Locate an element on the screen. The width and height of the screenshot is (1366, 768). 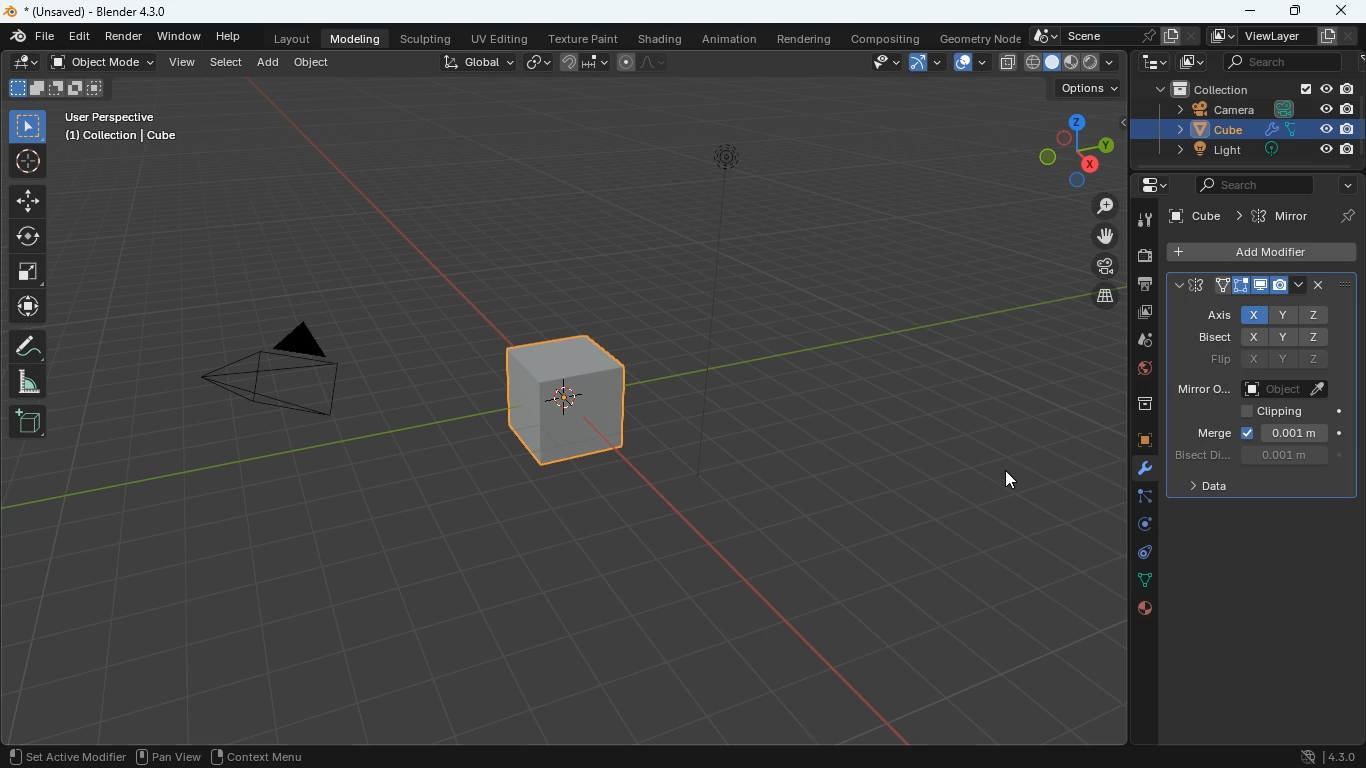
lines is located at coordinates (1135, 580).